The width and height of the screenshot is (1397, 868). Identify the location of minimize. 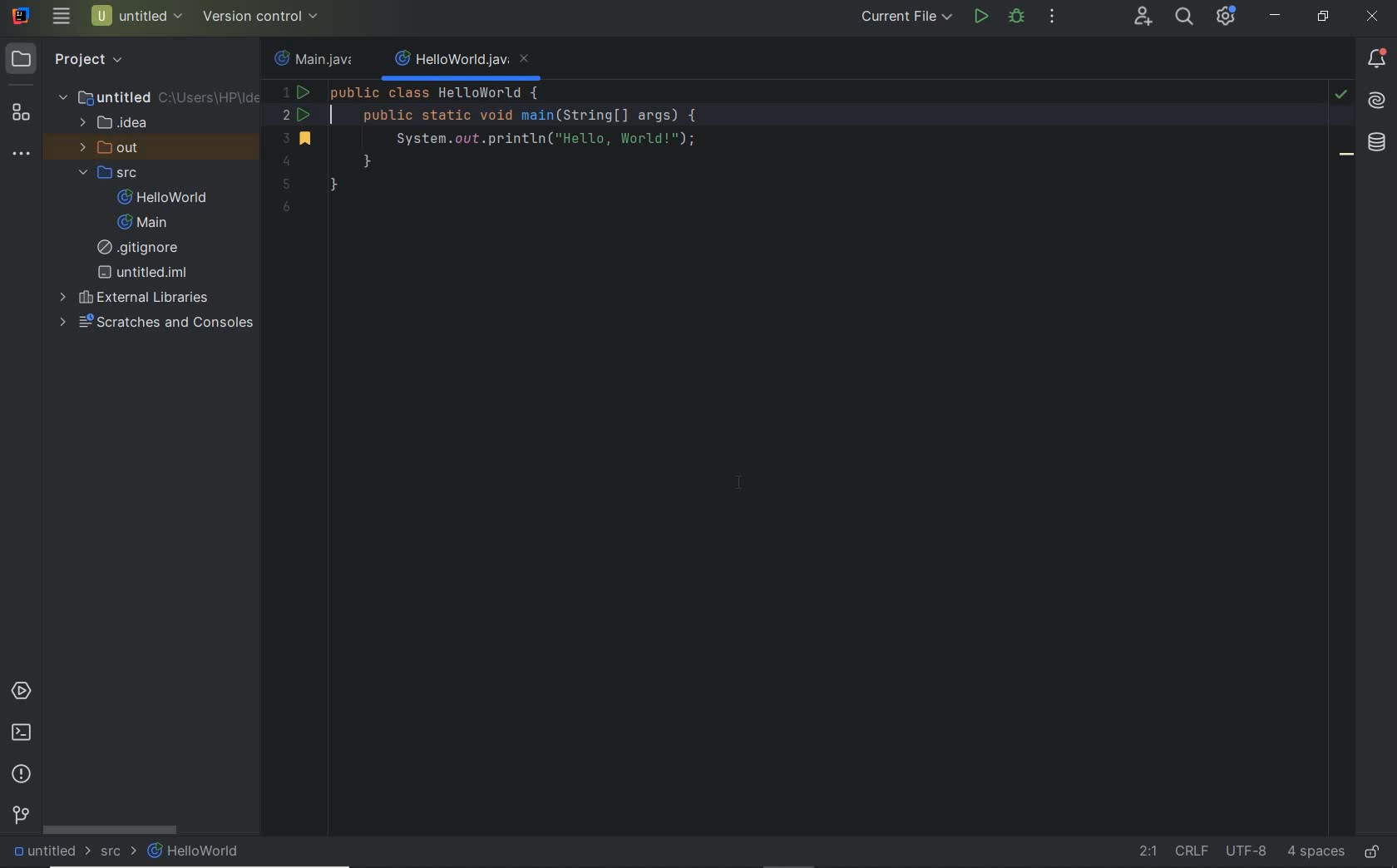
(1276, 16).